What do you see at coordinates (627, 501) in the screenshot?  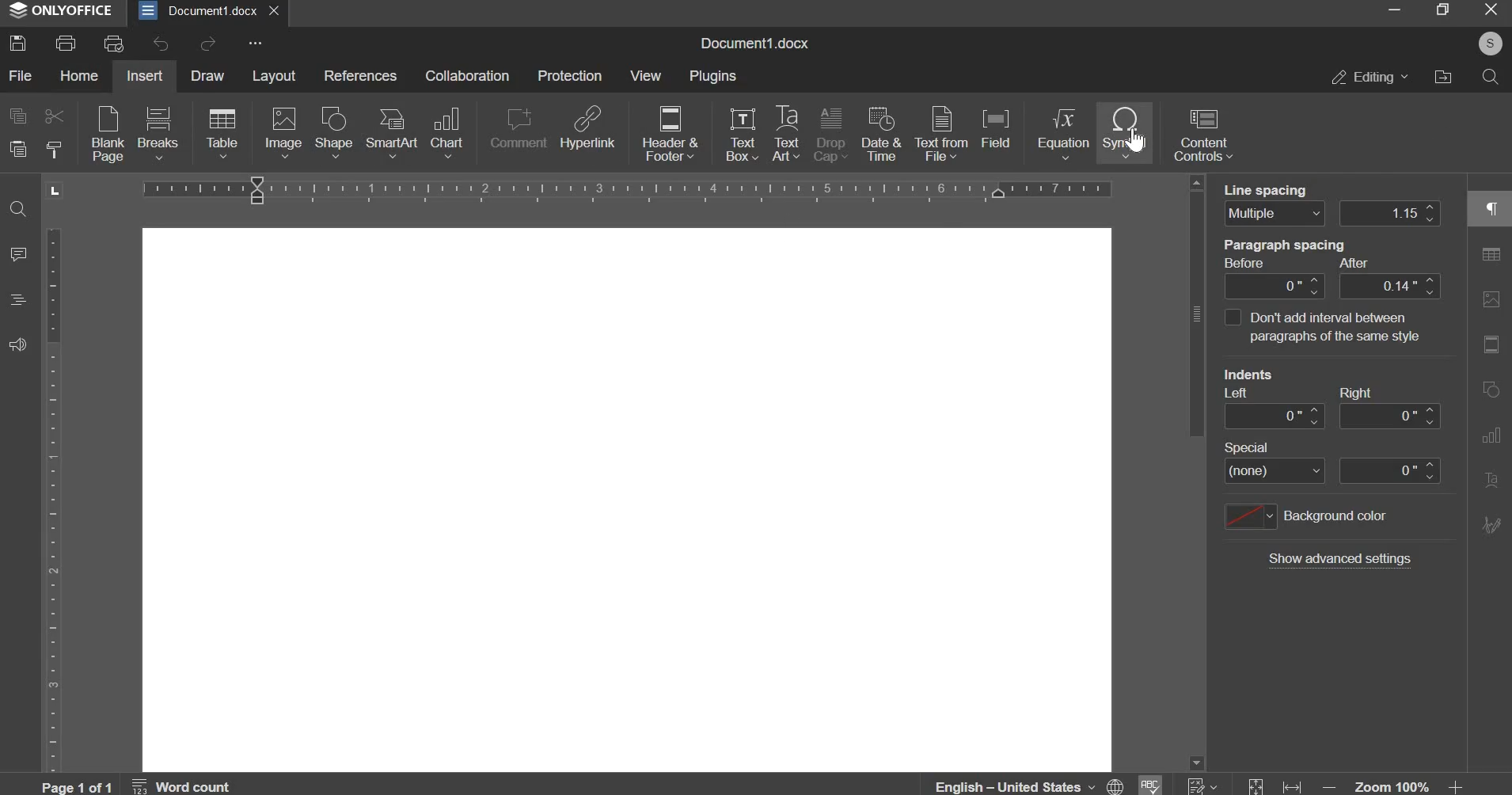 I see `document` at bounding box center [627, 501].